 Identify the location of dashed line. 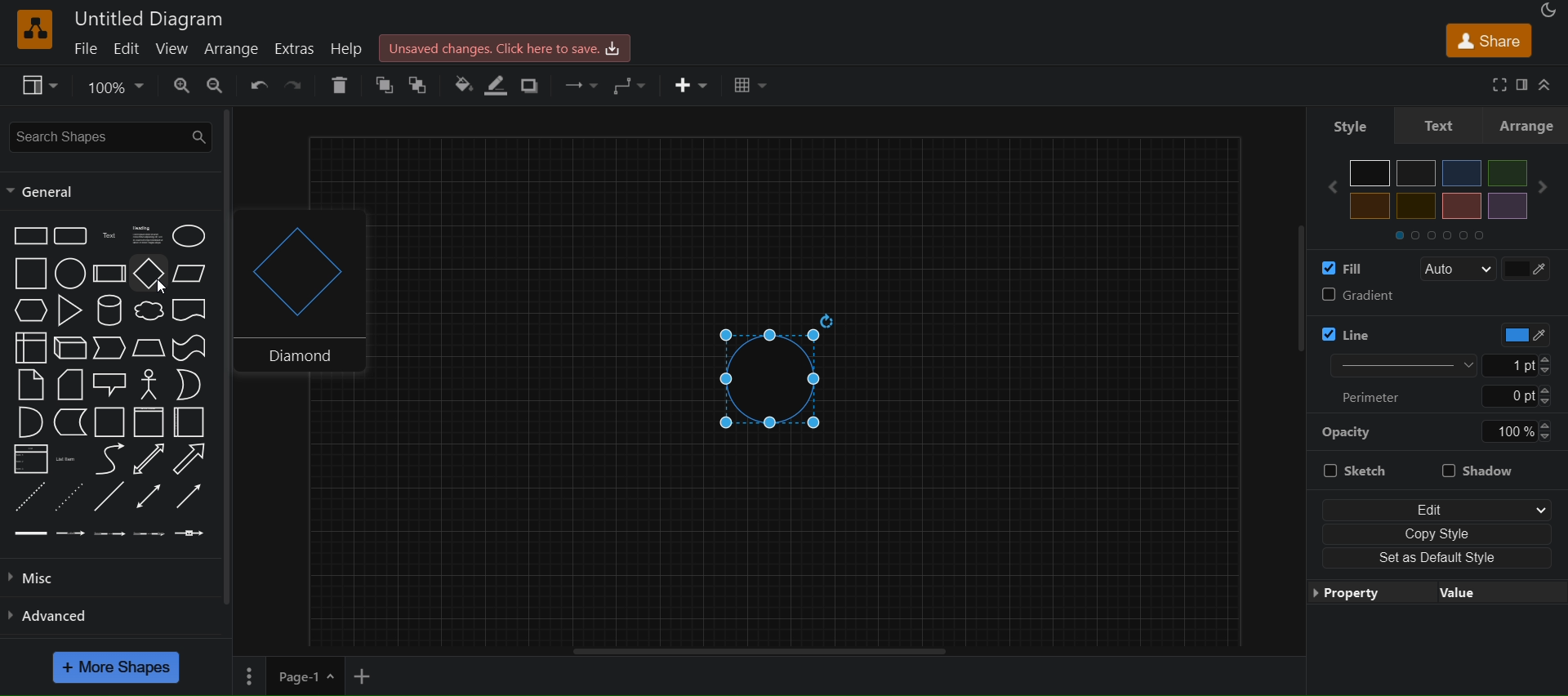
(26, 496).